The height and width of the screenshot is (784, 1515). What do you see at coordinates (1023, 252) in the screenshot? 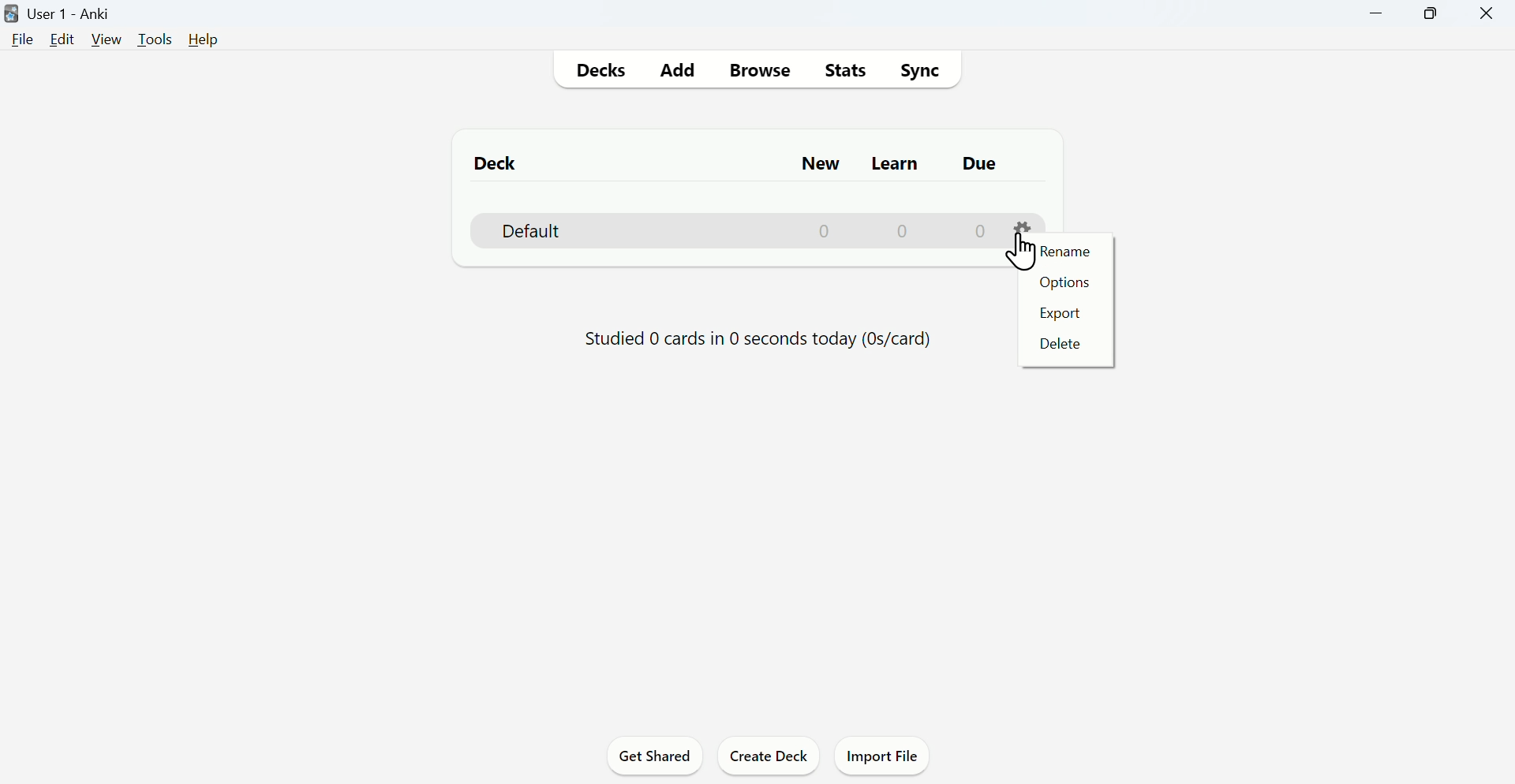
I see `Cursor` at bounding box center [1023, 252].